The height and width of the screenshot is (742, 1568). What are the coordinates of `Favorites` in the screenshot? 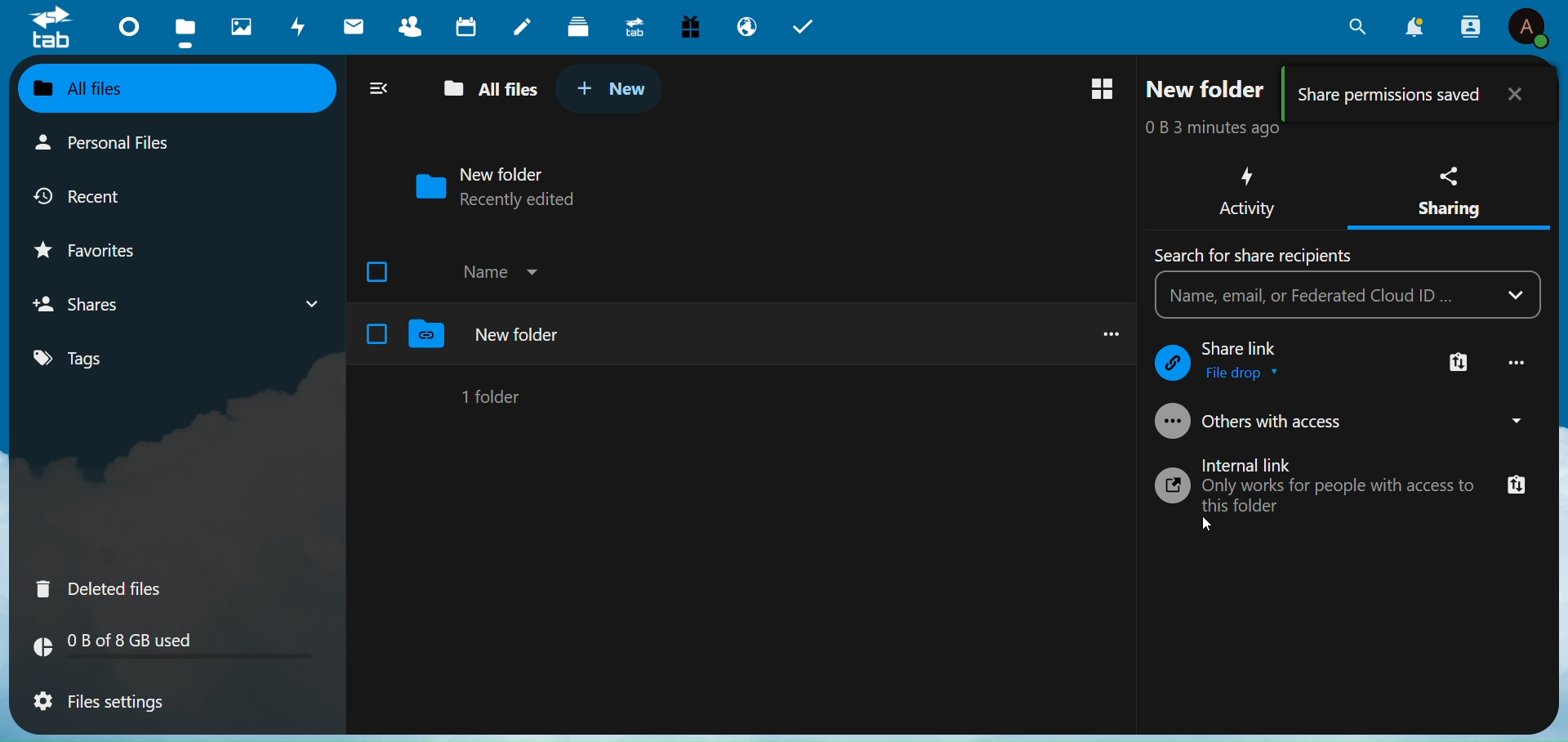 It's located at (103, 247).